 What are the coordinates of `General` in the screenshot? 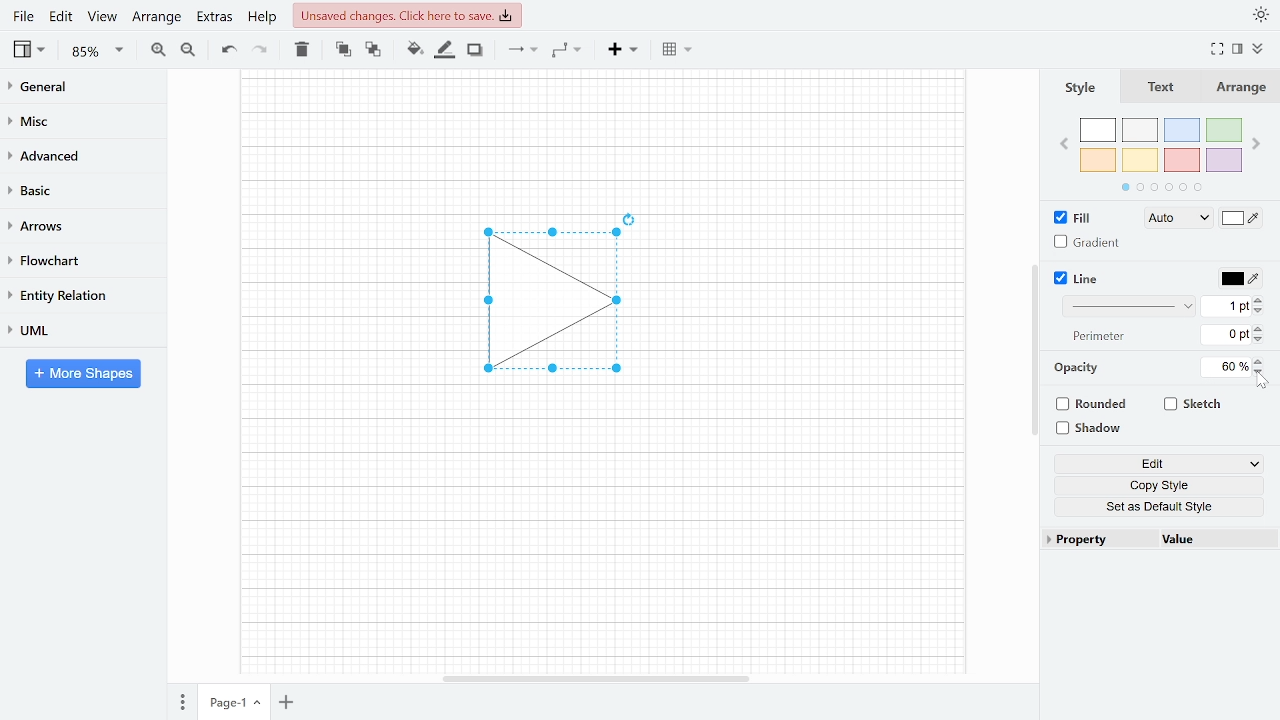 It's located at (76, 89).